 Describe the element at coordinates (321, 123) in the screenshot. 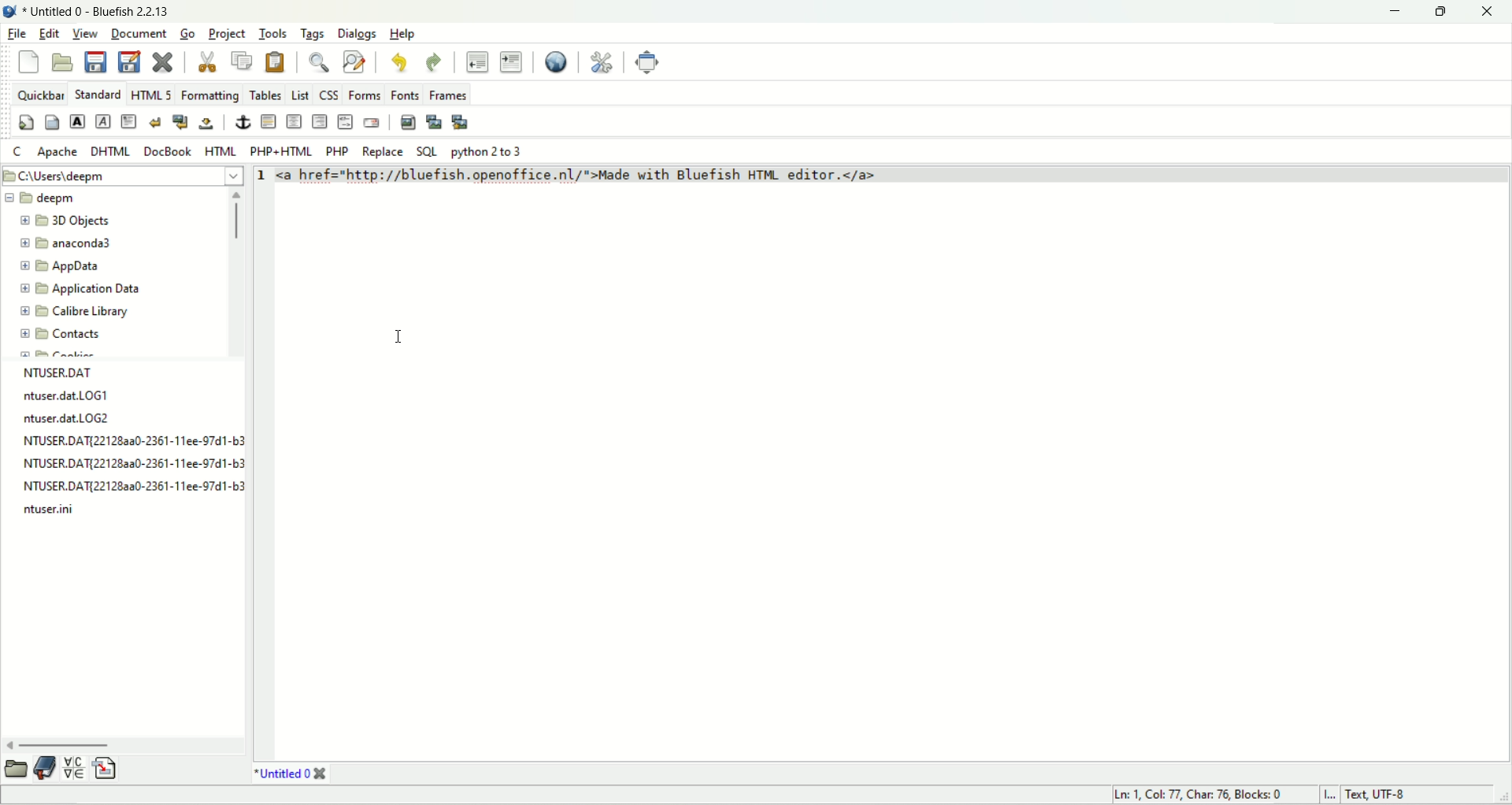

I see `right justify` at that location.